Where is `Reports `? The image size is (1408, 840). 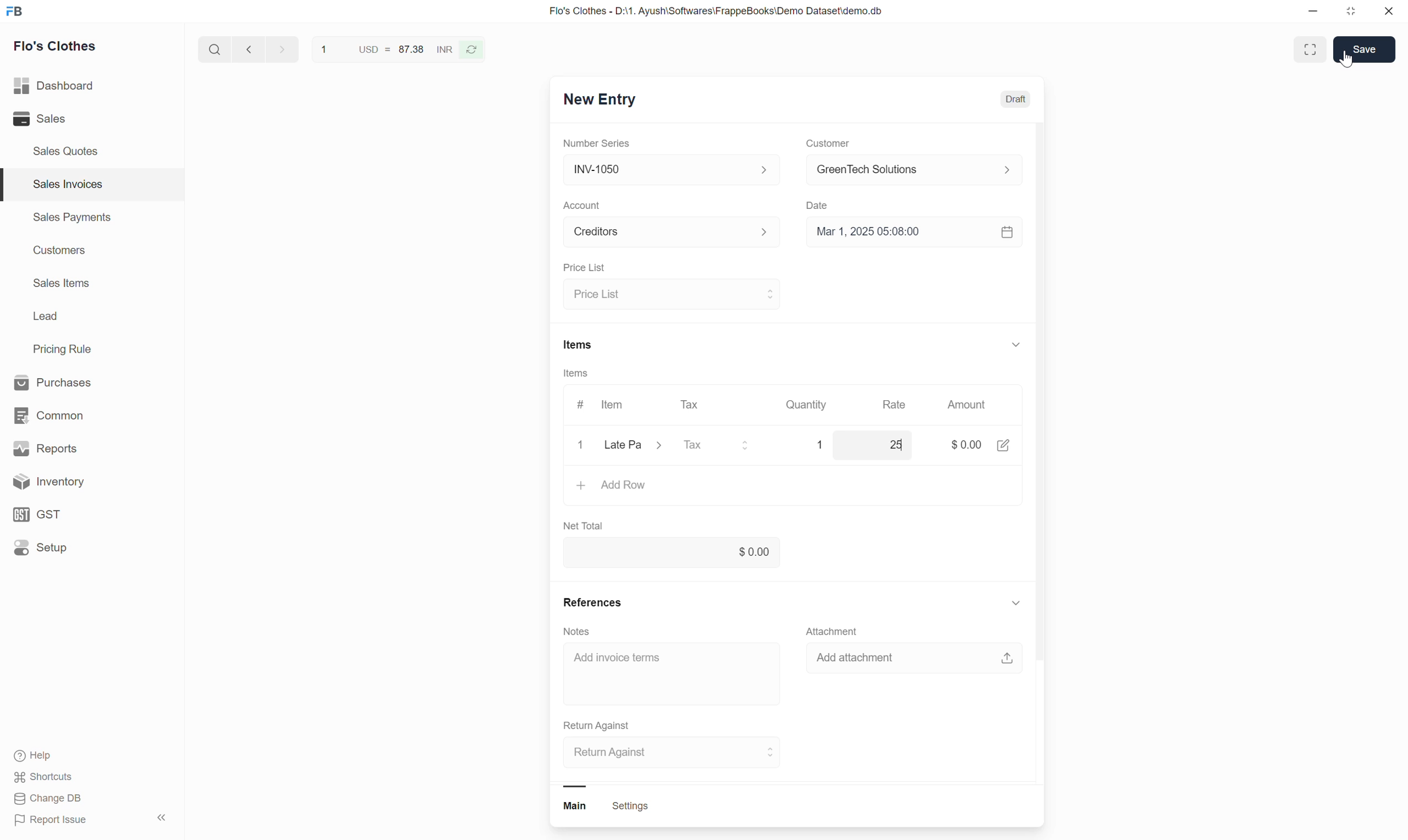
Reports  is located at coordinates (76, 447).